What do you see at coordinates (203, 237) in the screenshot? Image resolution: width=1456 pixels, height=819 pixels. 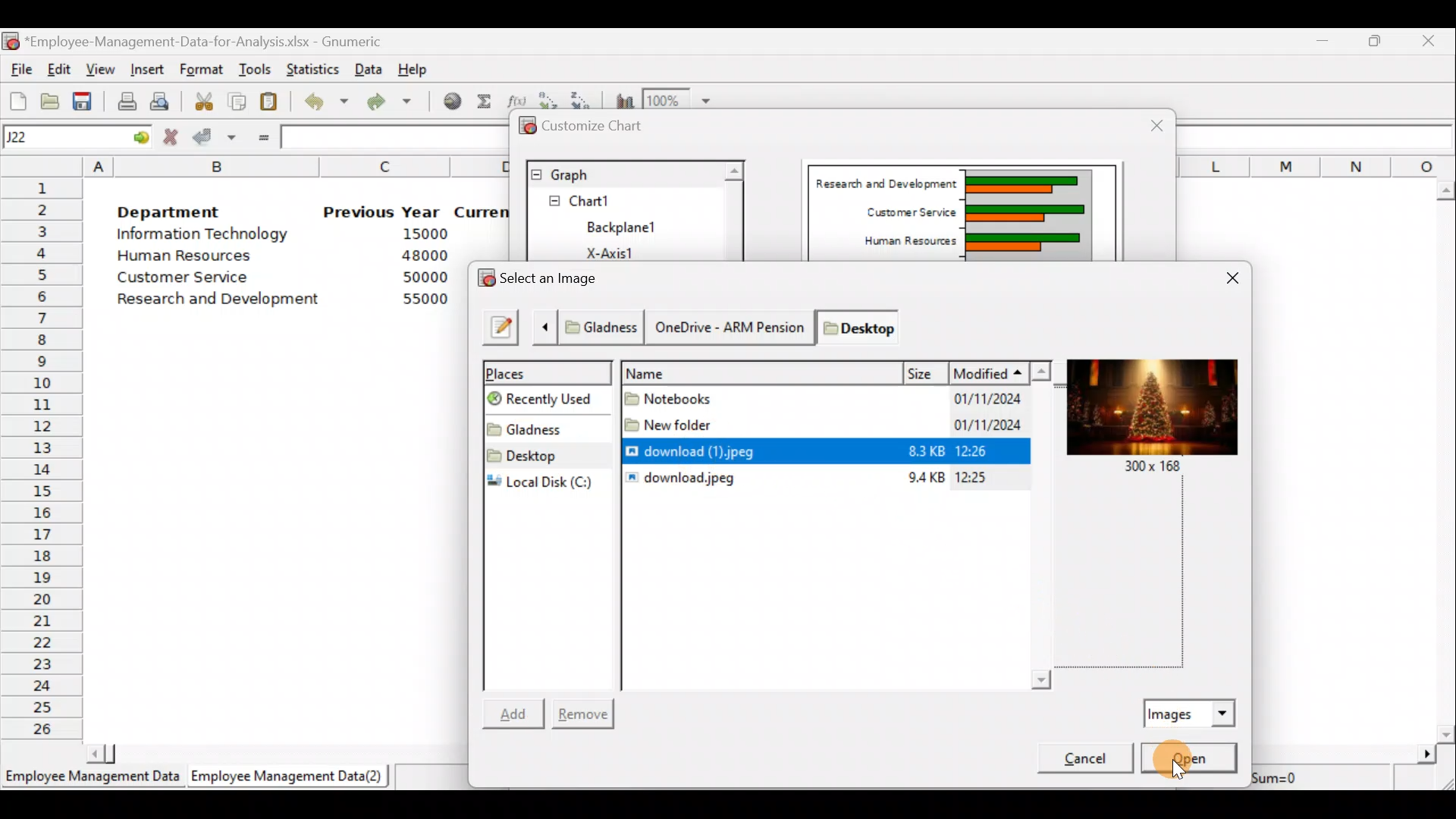 I see `Information Technology` at bounding box center [203, 237].